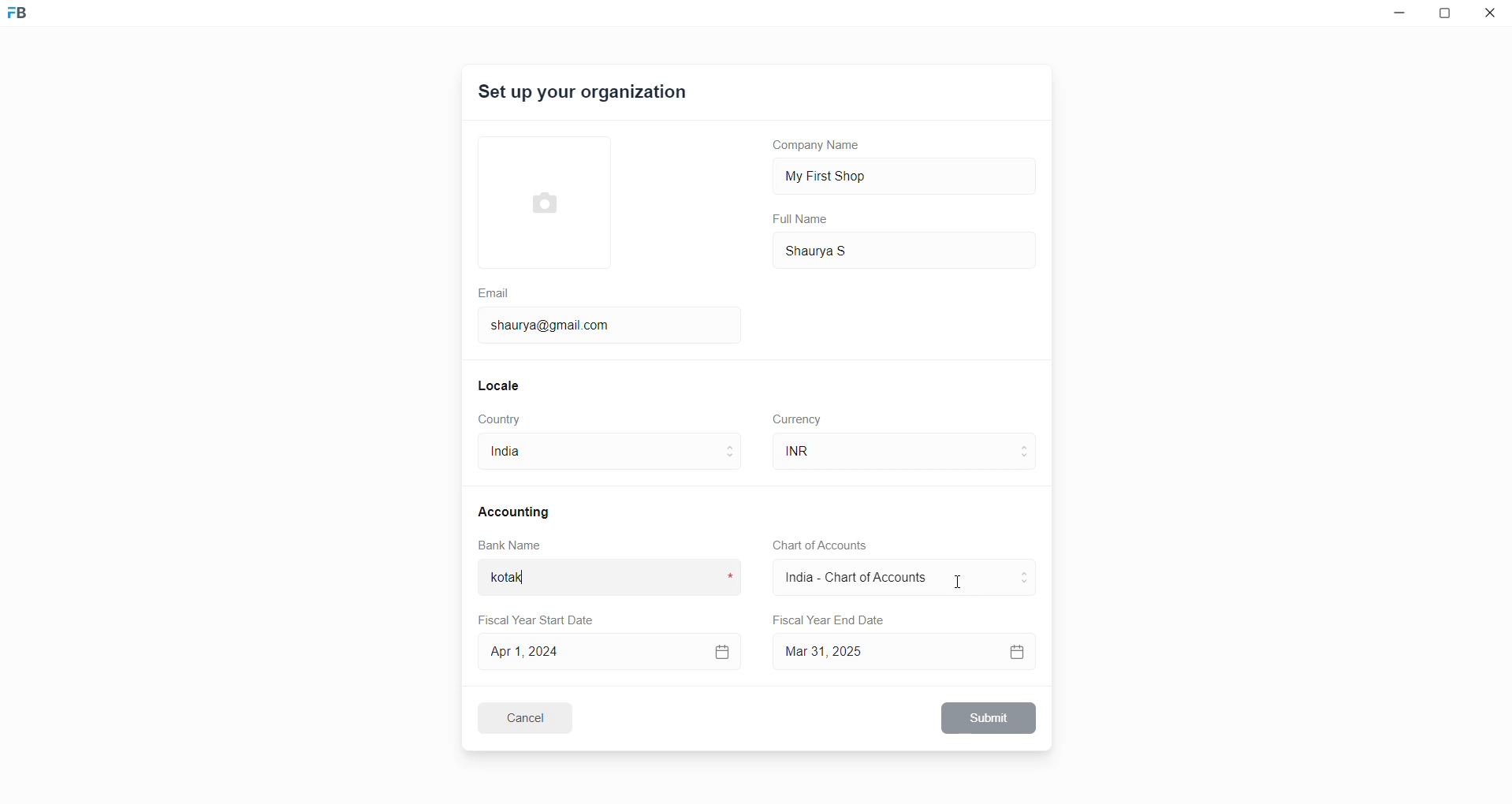  Describe the element at coordinates (1028, 445) in the screenshot. I see `move to above curreny` at that location.